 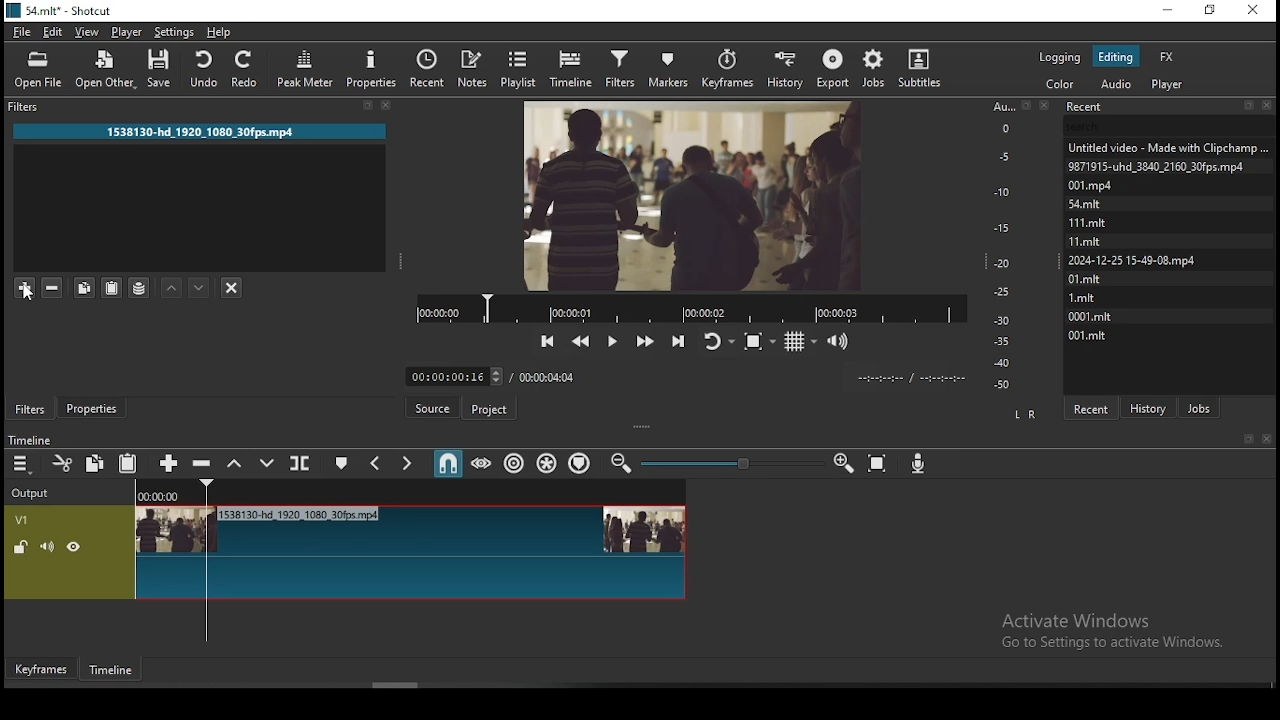 What do you see at coordinates (1199, 406) in the screenshot?
I see `jobs` at bounding box center [1199, 406].